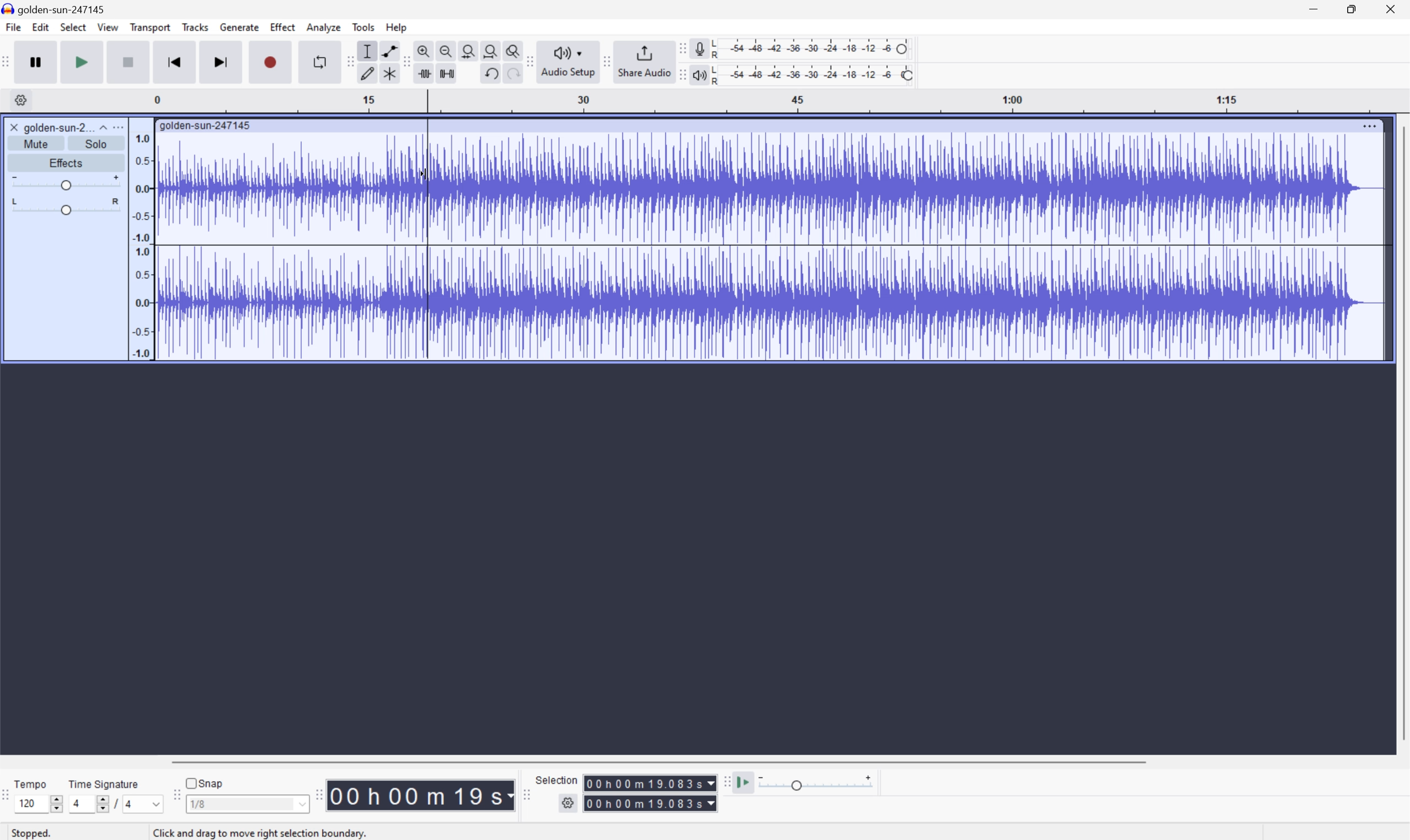 This screenshot has height=840, width=1410. What do you see at coordinates (1370, 123) in the screenshot?
I see `More` at bounding box center [1370, 123].